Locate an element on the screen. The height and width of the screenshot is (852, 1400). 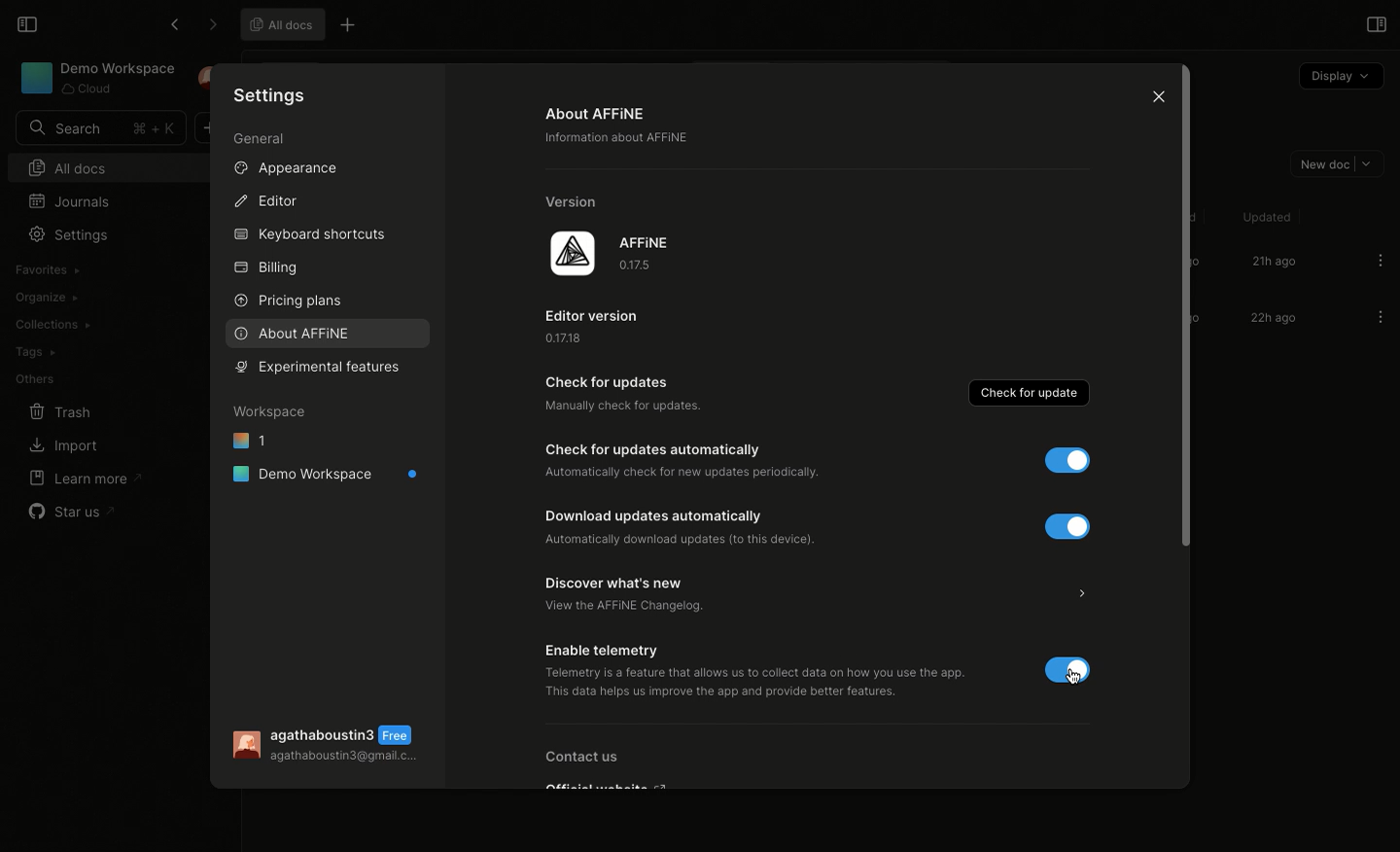
disable is located at coordinates (1071, 668).